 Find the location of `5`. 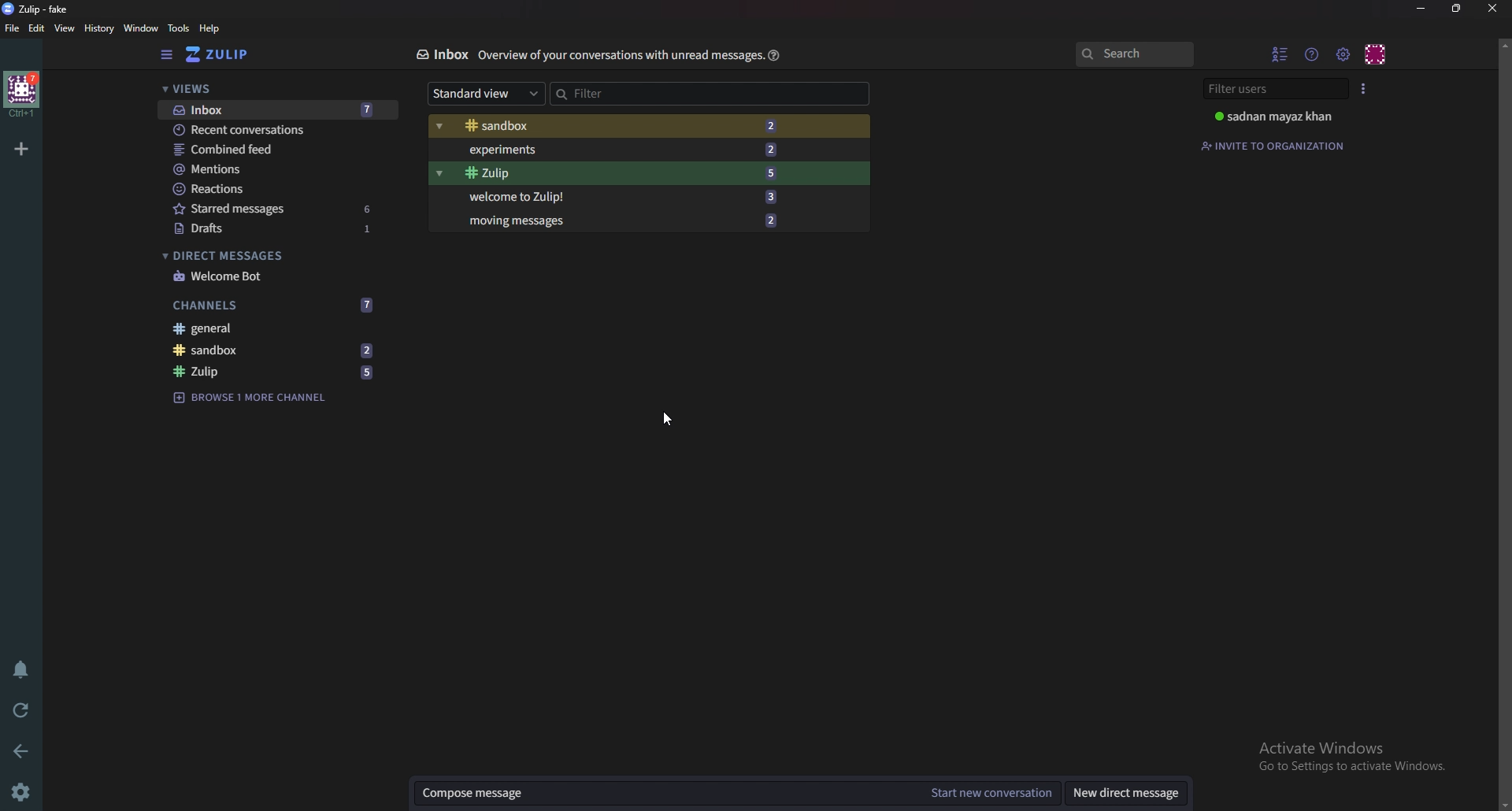

5 is located at coordinates (775, 172).